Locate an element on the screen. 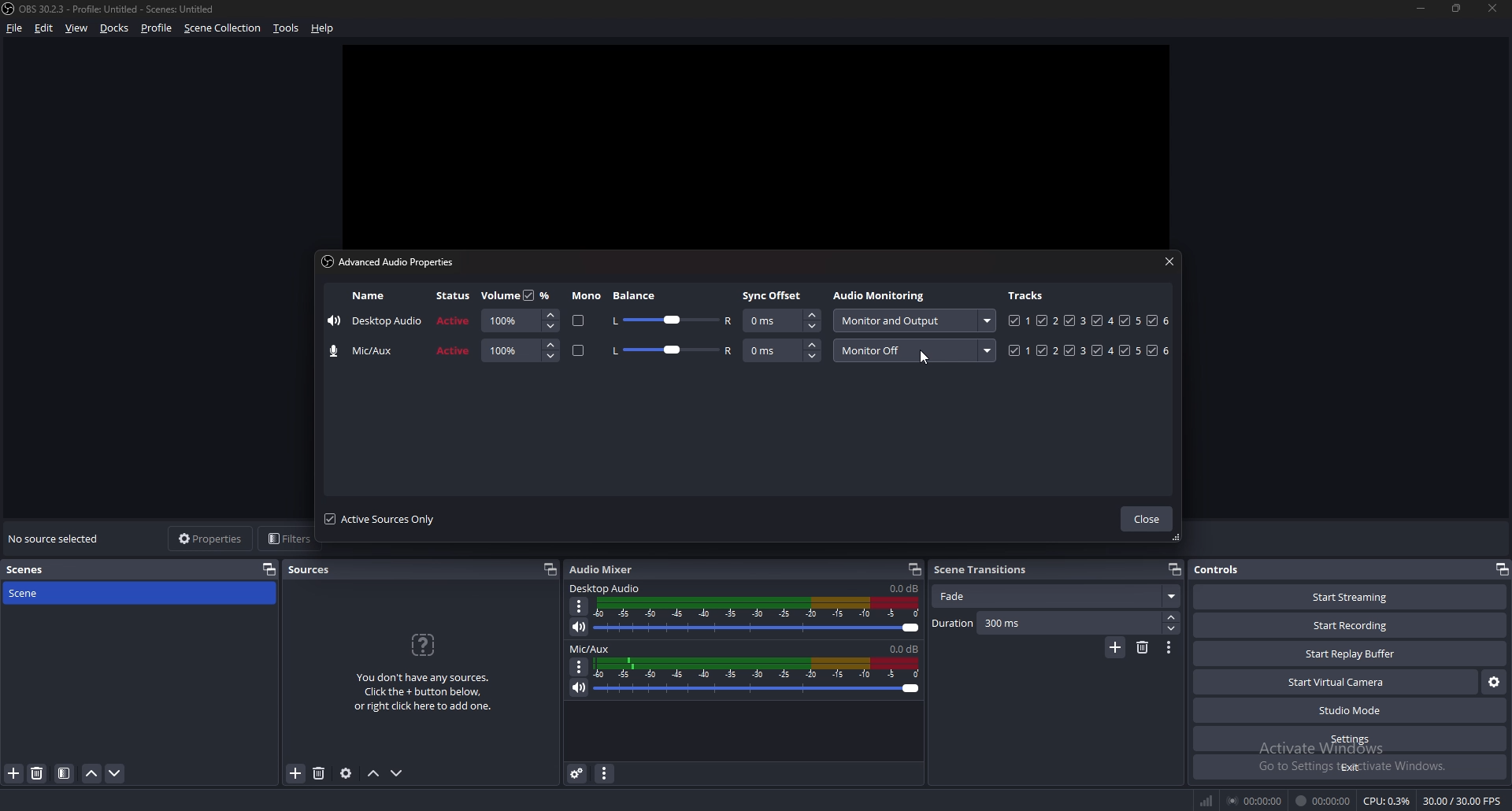 The image size is (1512, 811). move source down is located at coordinates (397, 772).